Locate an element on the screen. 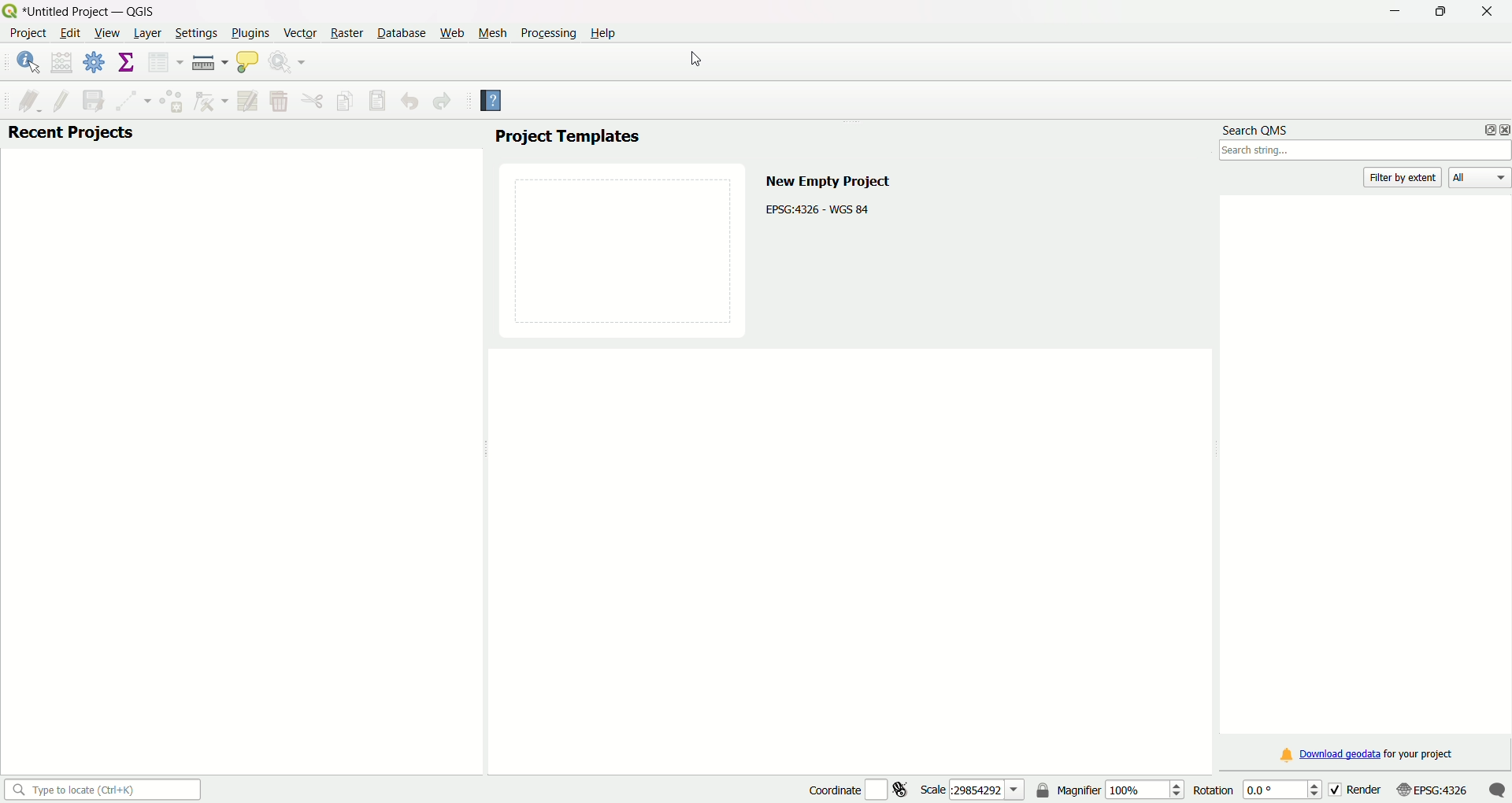 This screenshot has width=1512, height=803. current CRS is located at coordinates (1431, 788).